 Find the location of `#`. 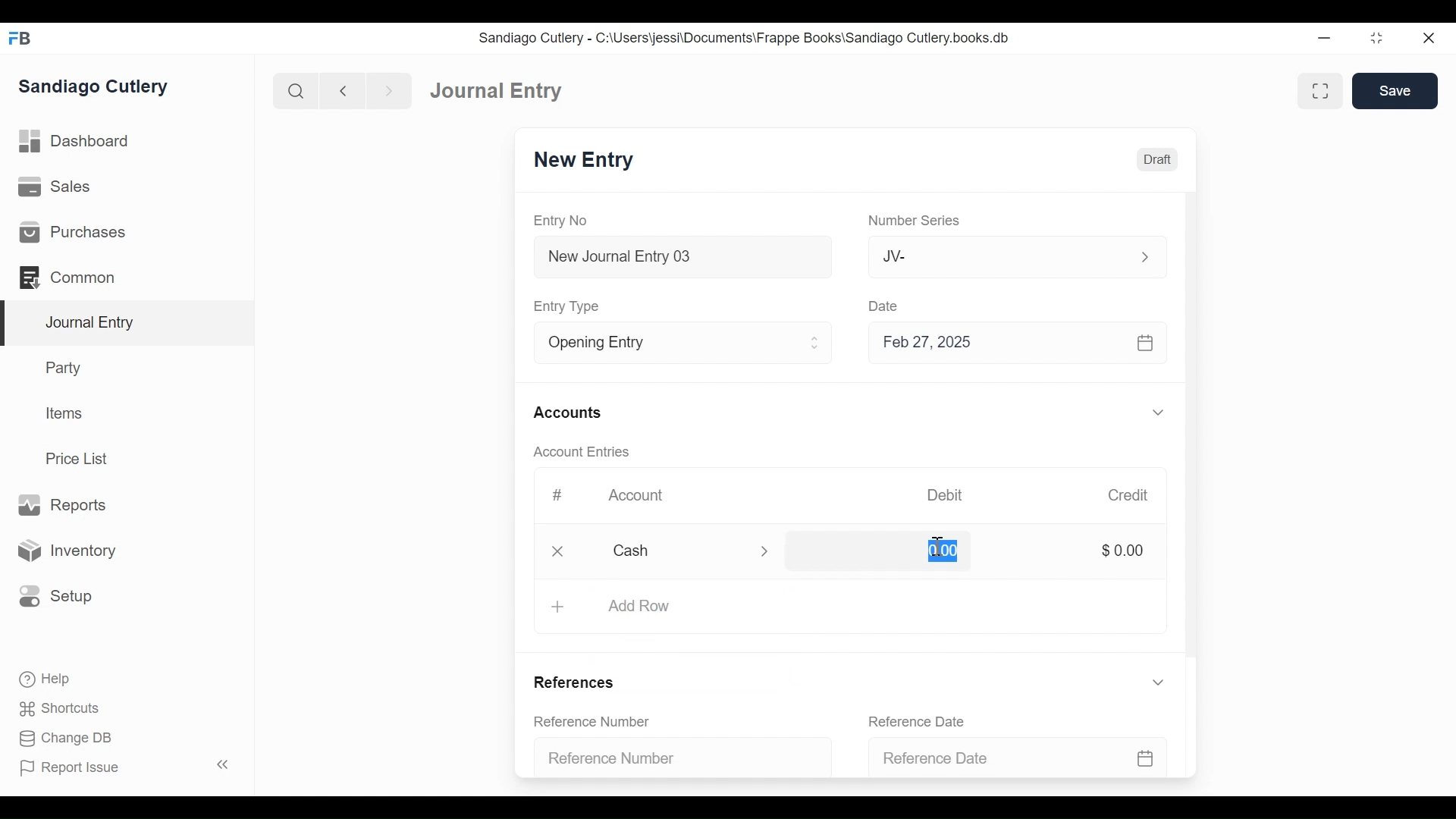

# is located at coordinates (558, 494).